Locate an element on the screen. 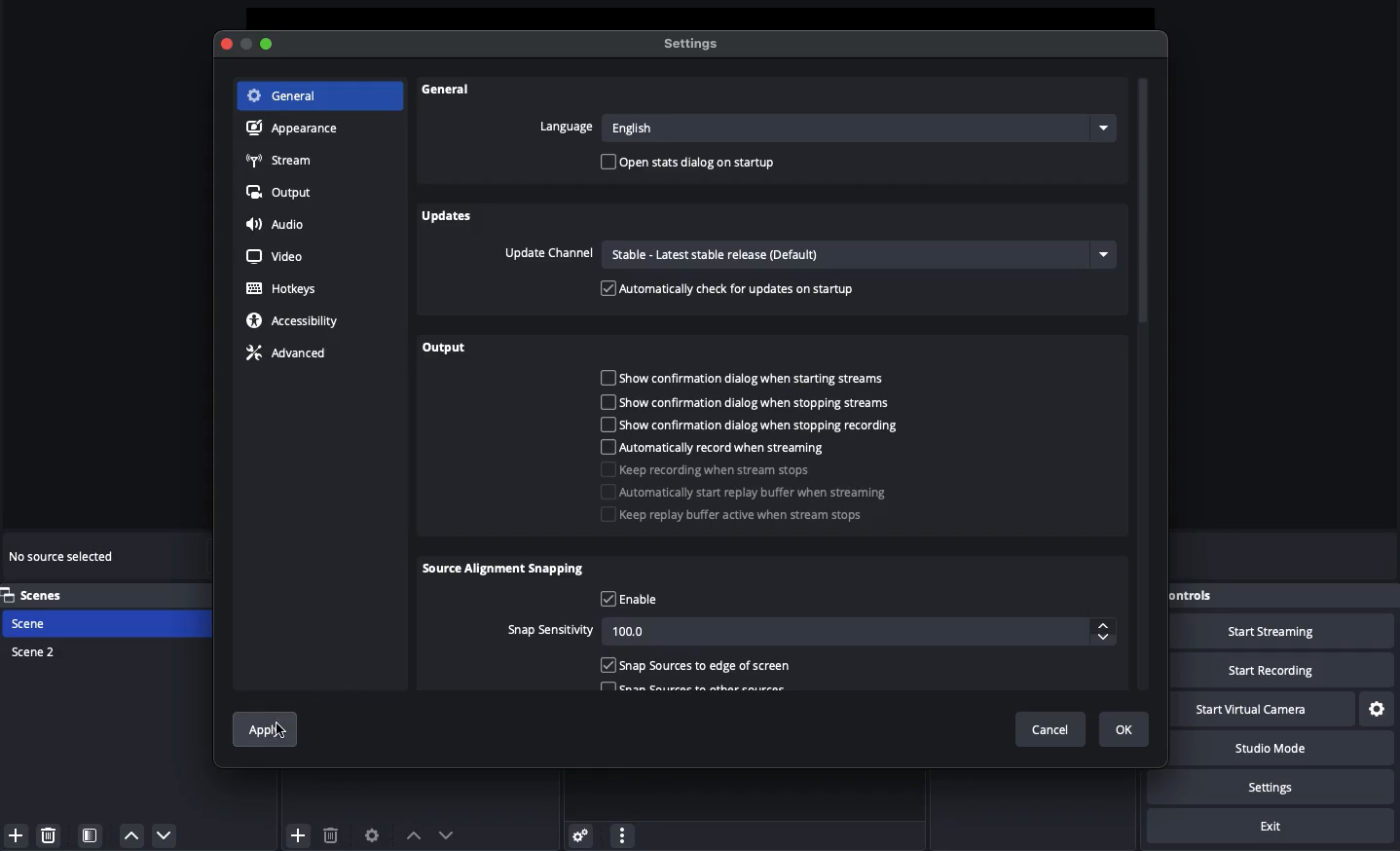 This screenshot has height=851, width=1400. Cancel is located at coordinates (1050, 730).